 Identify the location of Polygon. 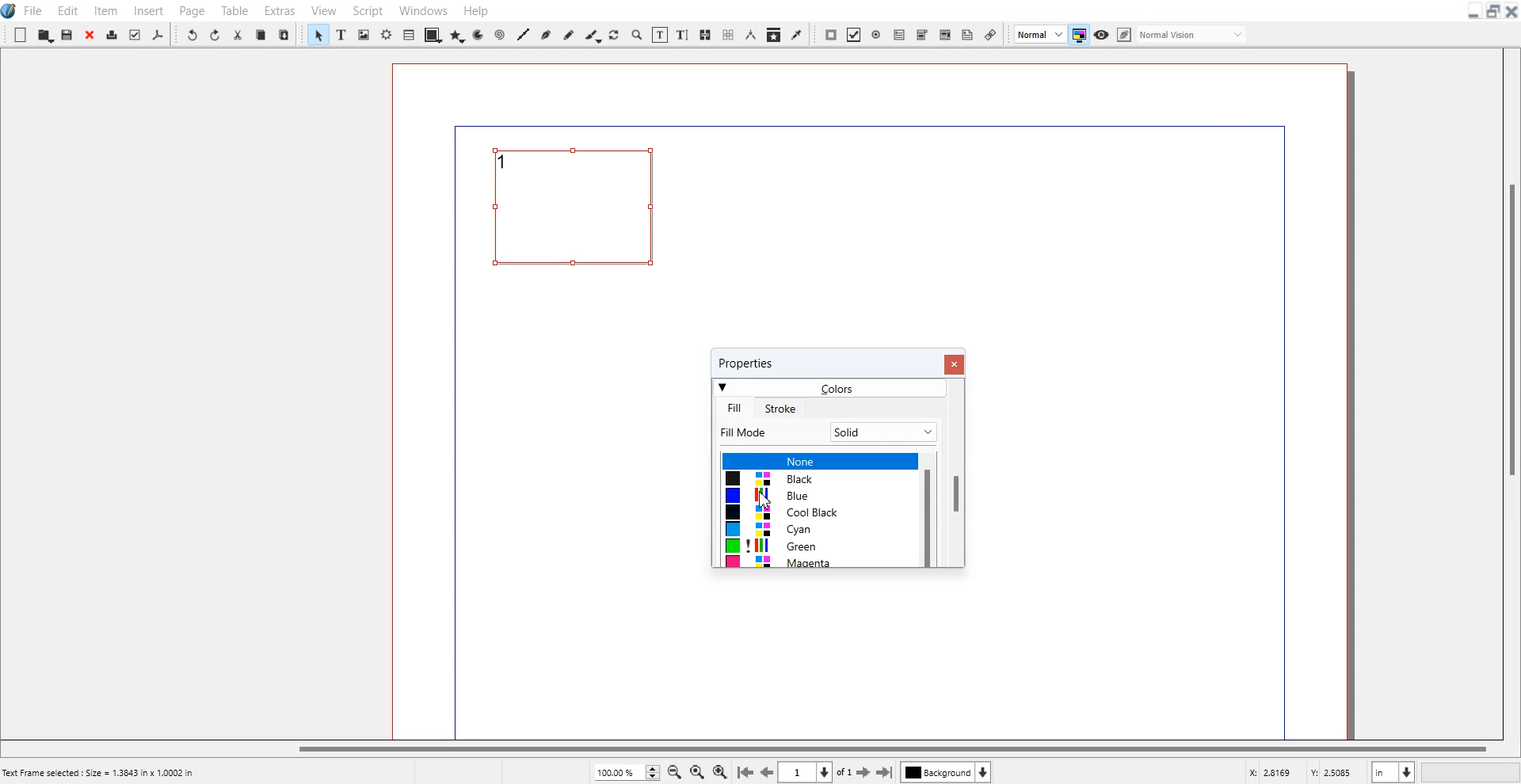
(457, 33).